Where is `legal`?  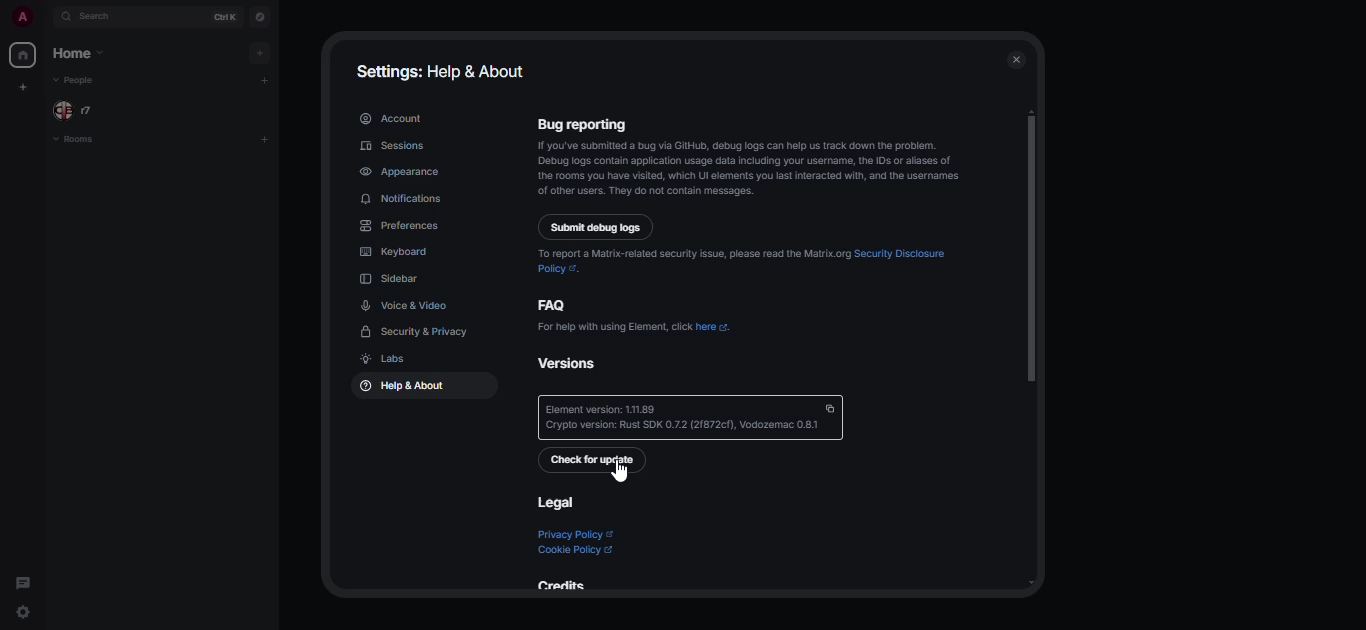 legal is located at coordinates (554, 502).